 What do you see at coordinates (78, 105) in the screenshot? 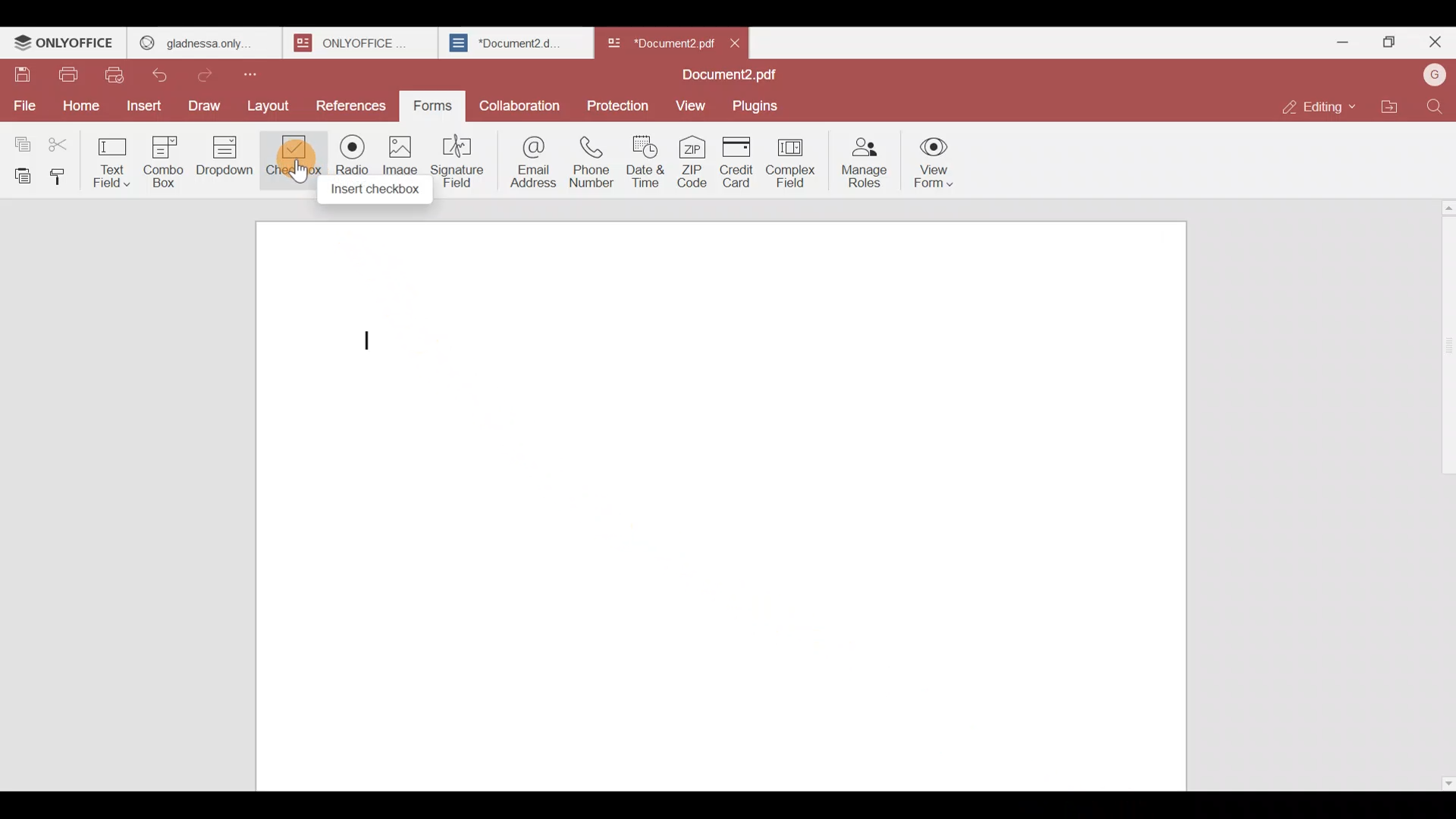
I see `Home` at bounding box center [78, 105].